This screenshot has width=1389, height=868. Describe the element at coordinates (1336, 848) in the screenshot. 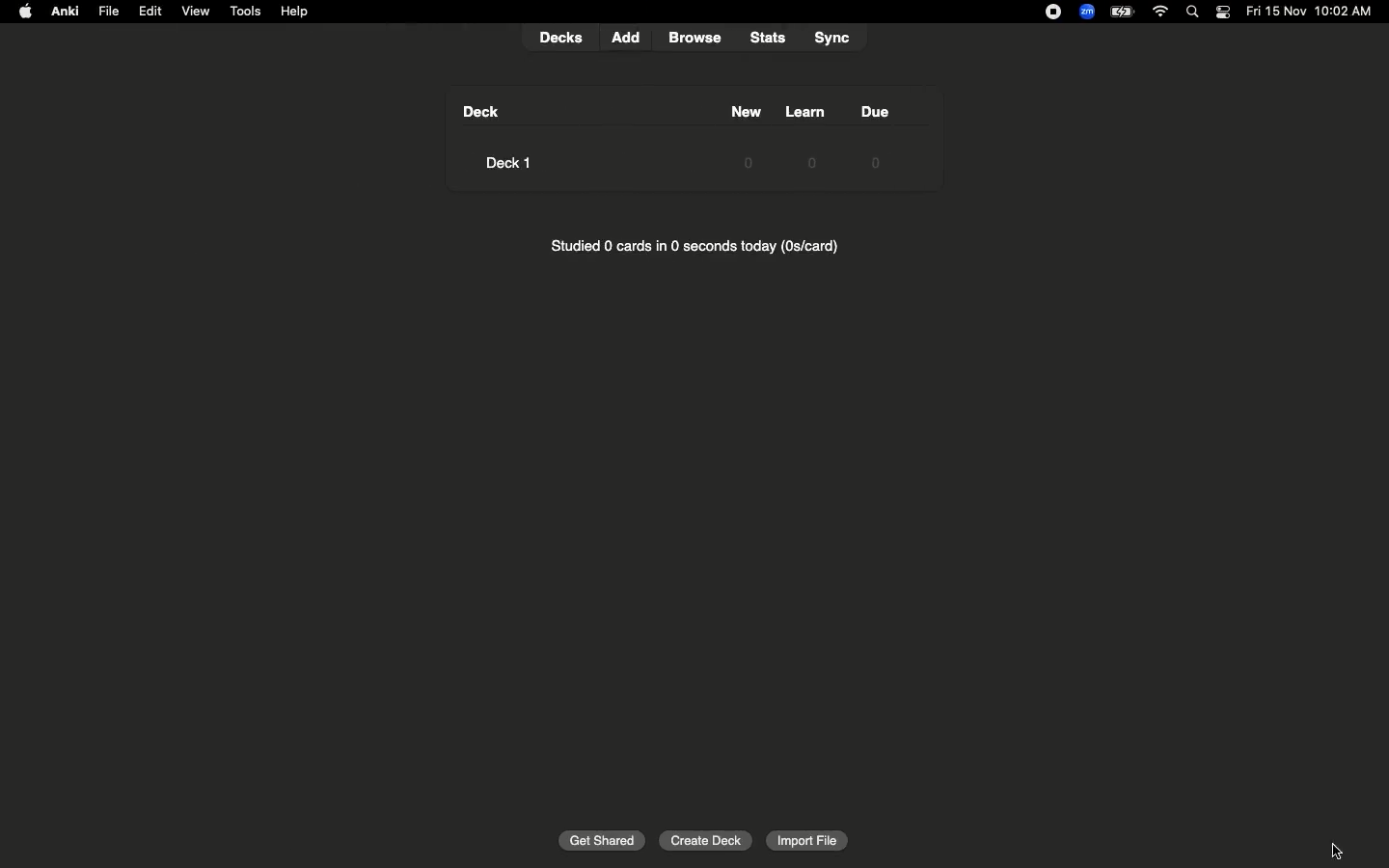

I see `Added new card type` at that location.